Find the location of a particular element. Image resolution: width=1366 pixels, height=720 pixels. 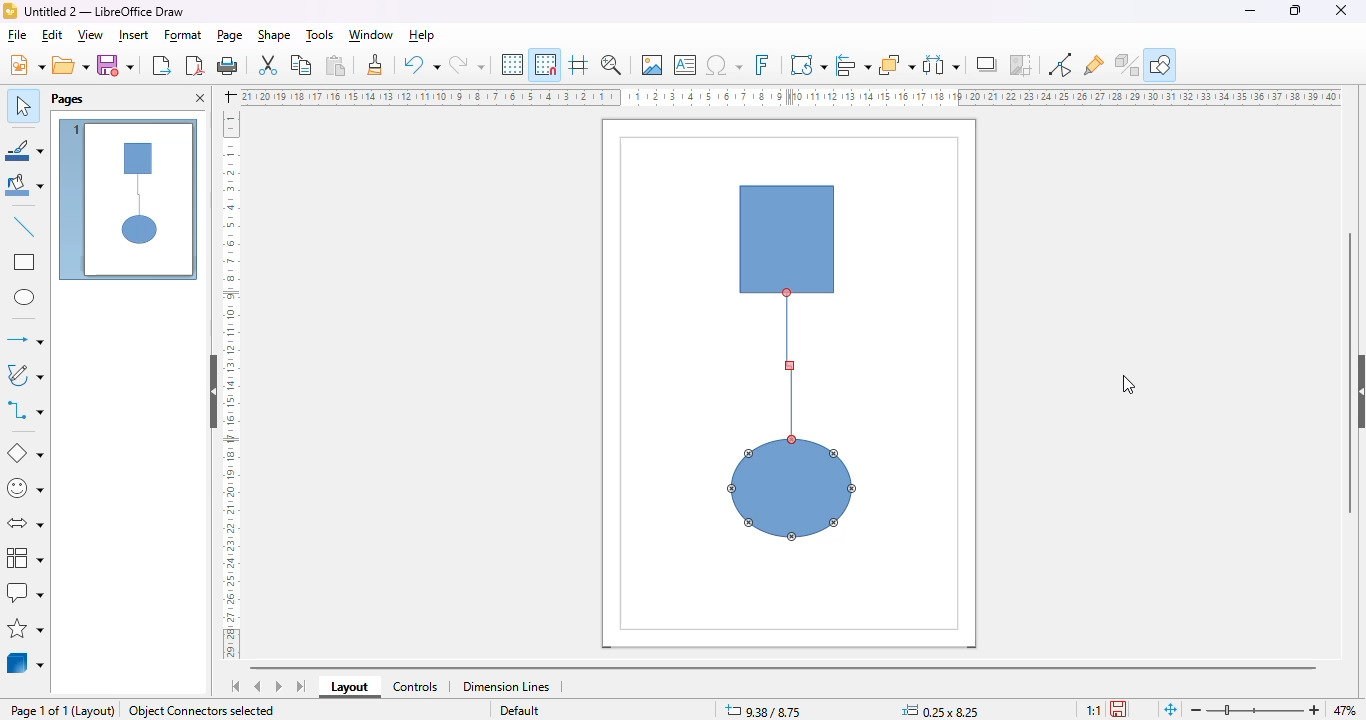

clone formatting is located at coordinates (375, 65).